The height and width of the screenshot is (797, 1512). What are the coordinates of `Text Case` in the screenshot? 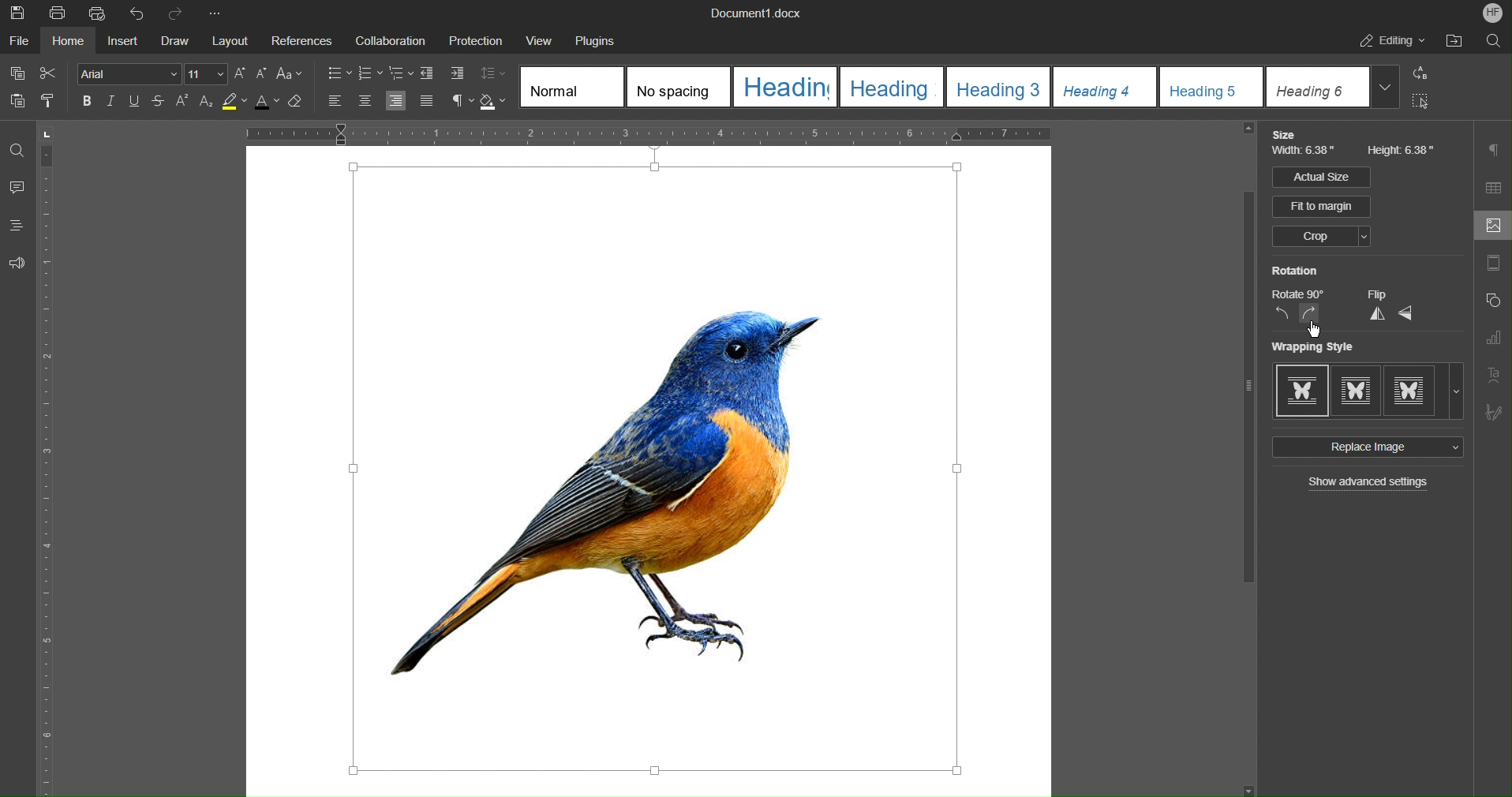 It's located at (289, 75).